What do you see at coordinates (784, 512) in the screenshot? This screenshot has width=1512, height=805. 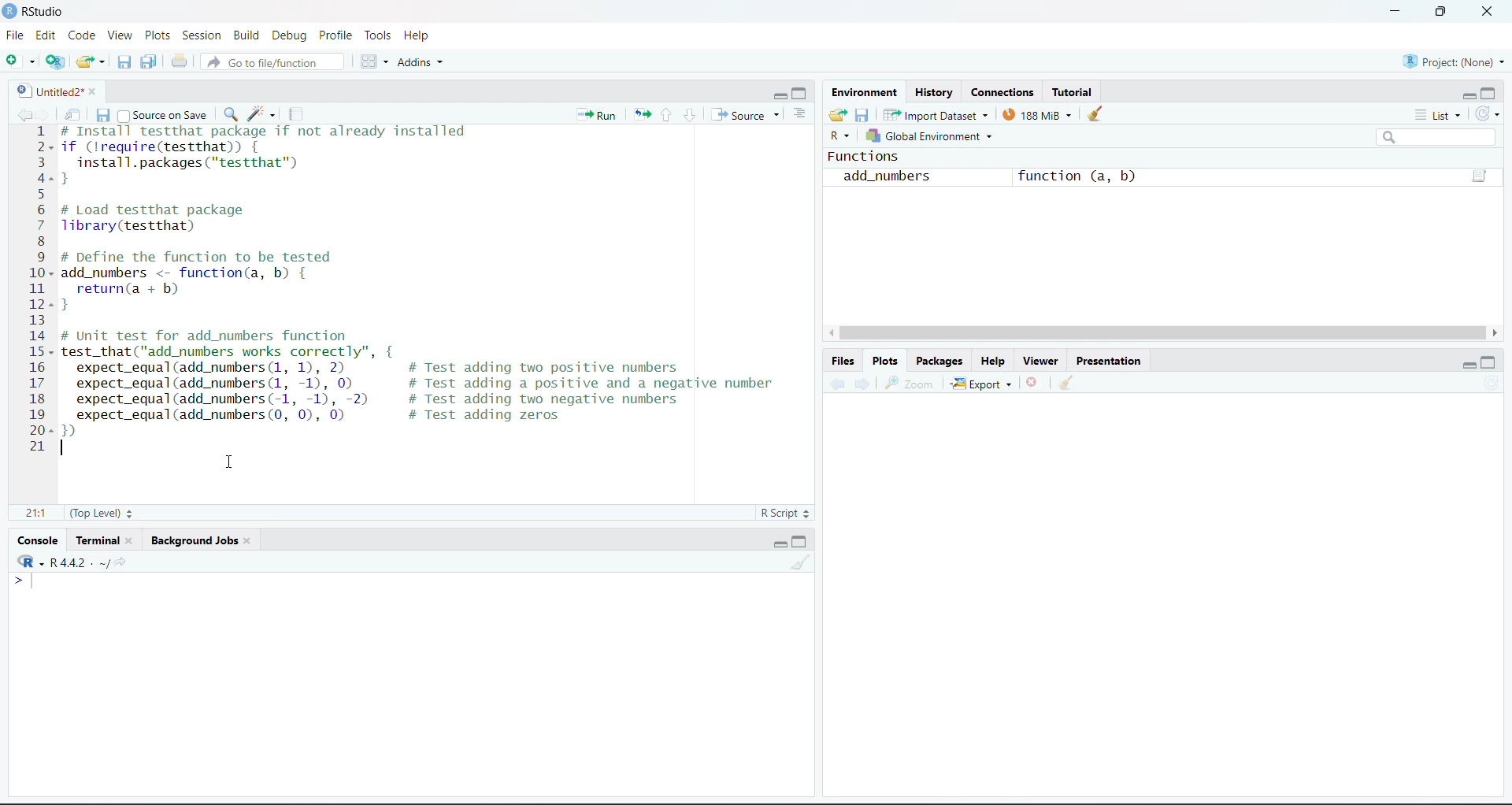 I see `R Script` at bounding box center [784, 512].